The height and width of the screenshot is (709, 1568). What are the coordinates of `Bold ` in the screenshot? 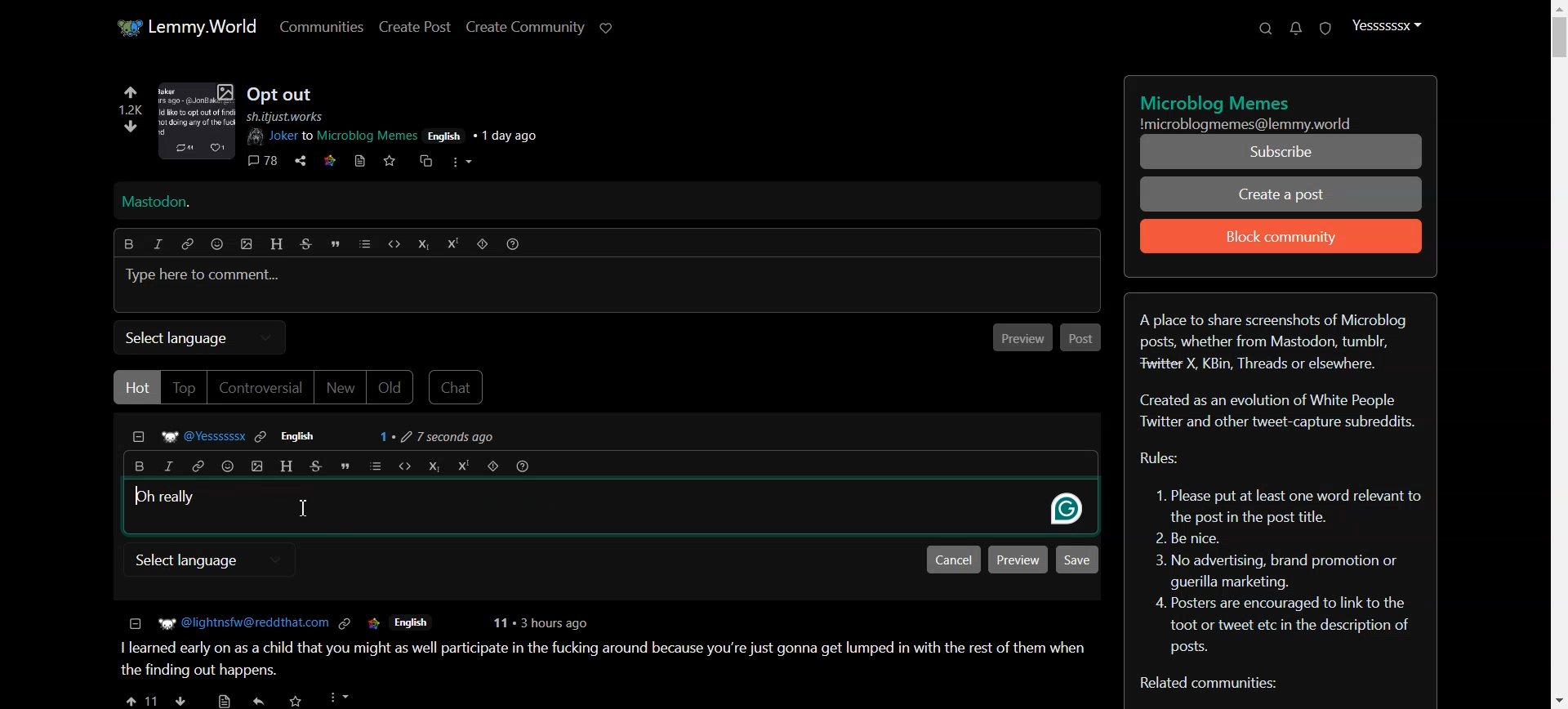 It's located at (137, 466).